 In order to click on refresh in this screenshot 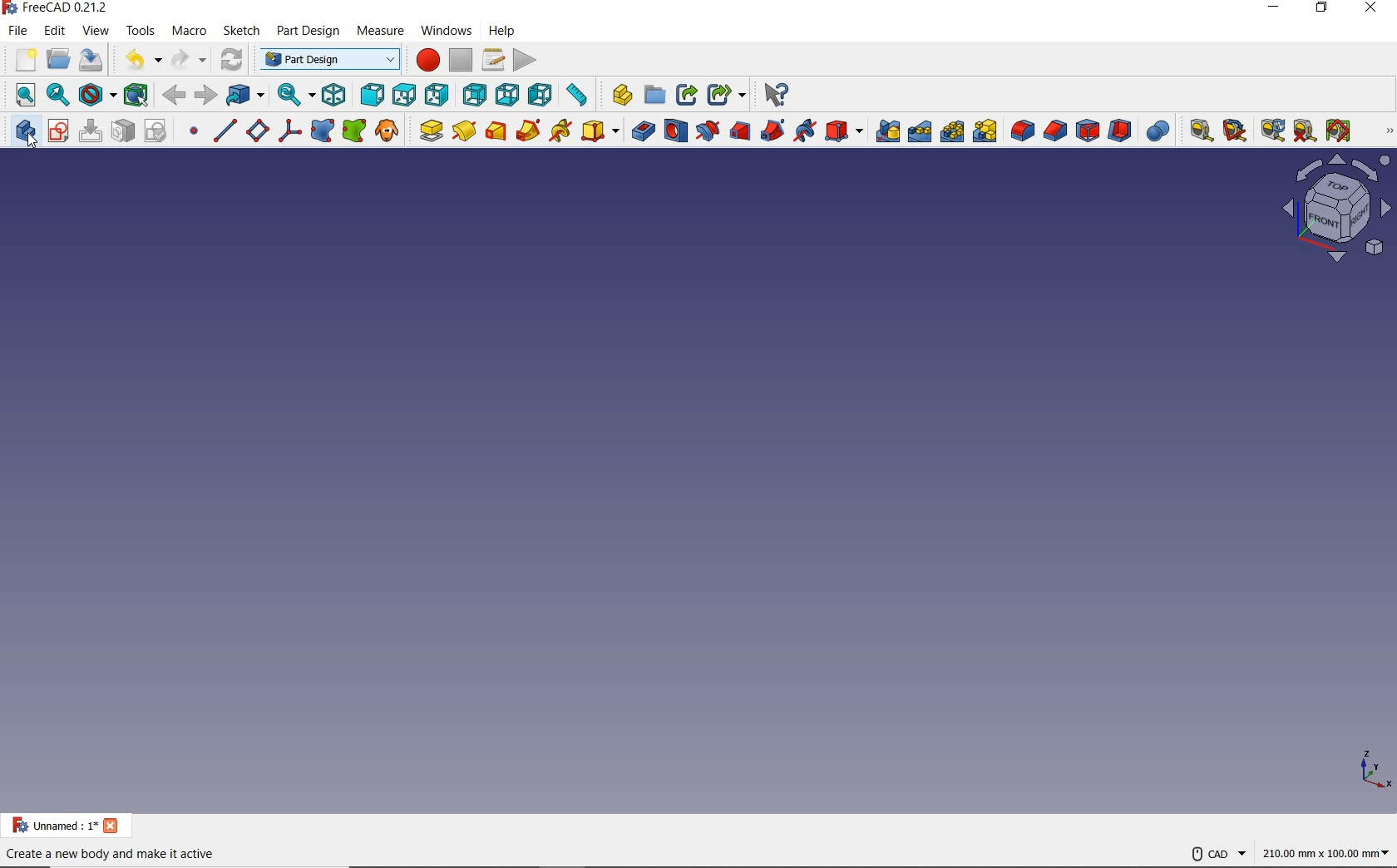, I will do `click(229, 61)`.